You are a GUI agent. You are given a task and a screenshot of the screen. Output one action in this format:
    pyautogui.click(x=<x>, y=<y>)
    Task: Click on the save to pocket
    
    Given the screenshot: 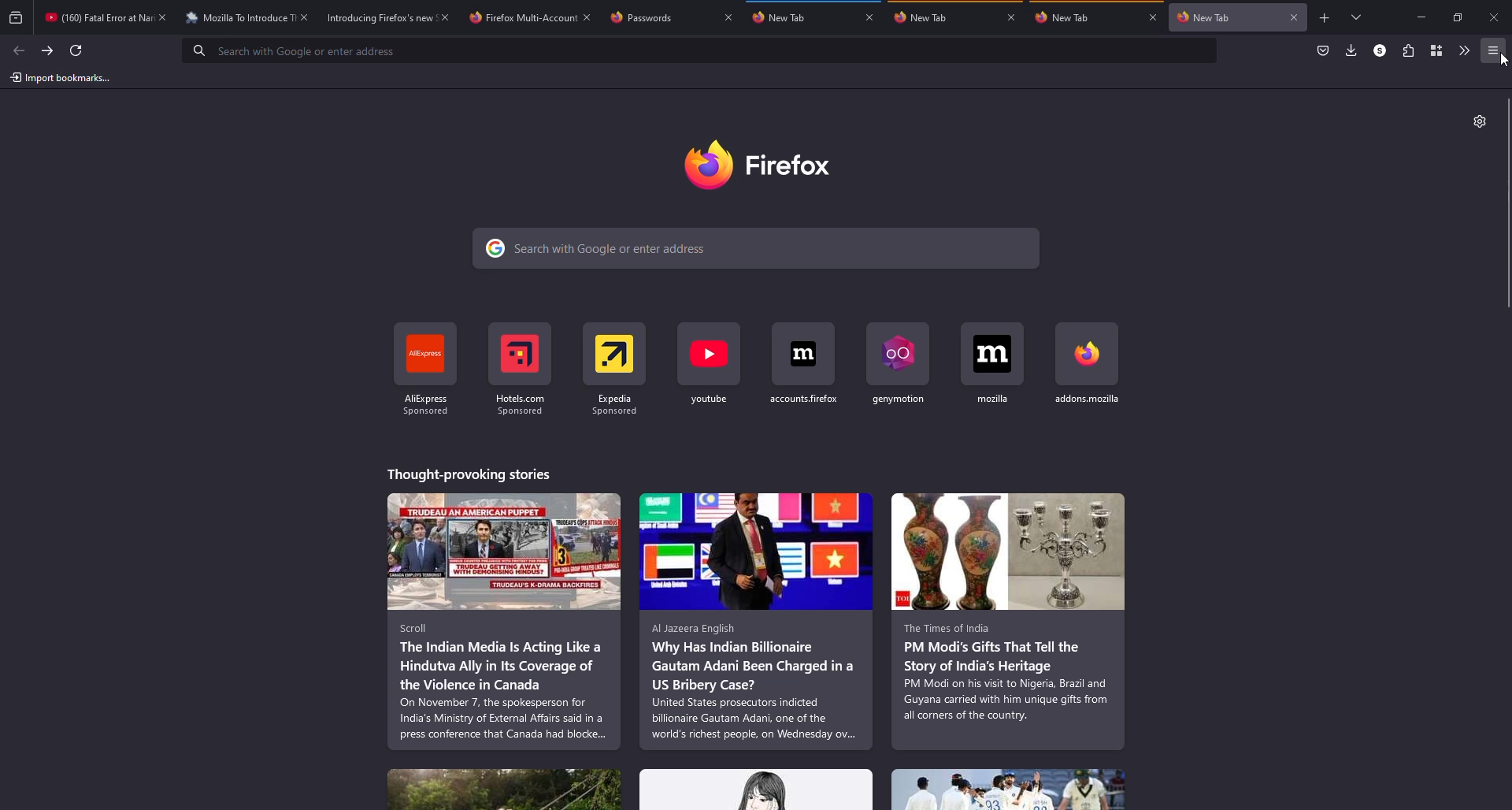 What is the action you would take?
    pyautogui.click(x=1324, y=49)
    